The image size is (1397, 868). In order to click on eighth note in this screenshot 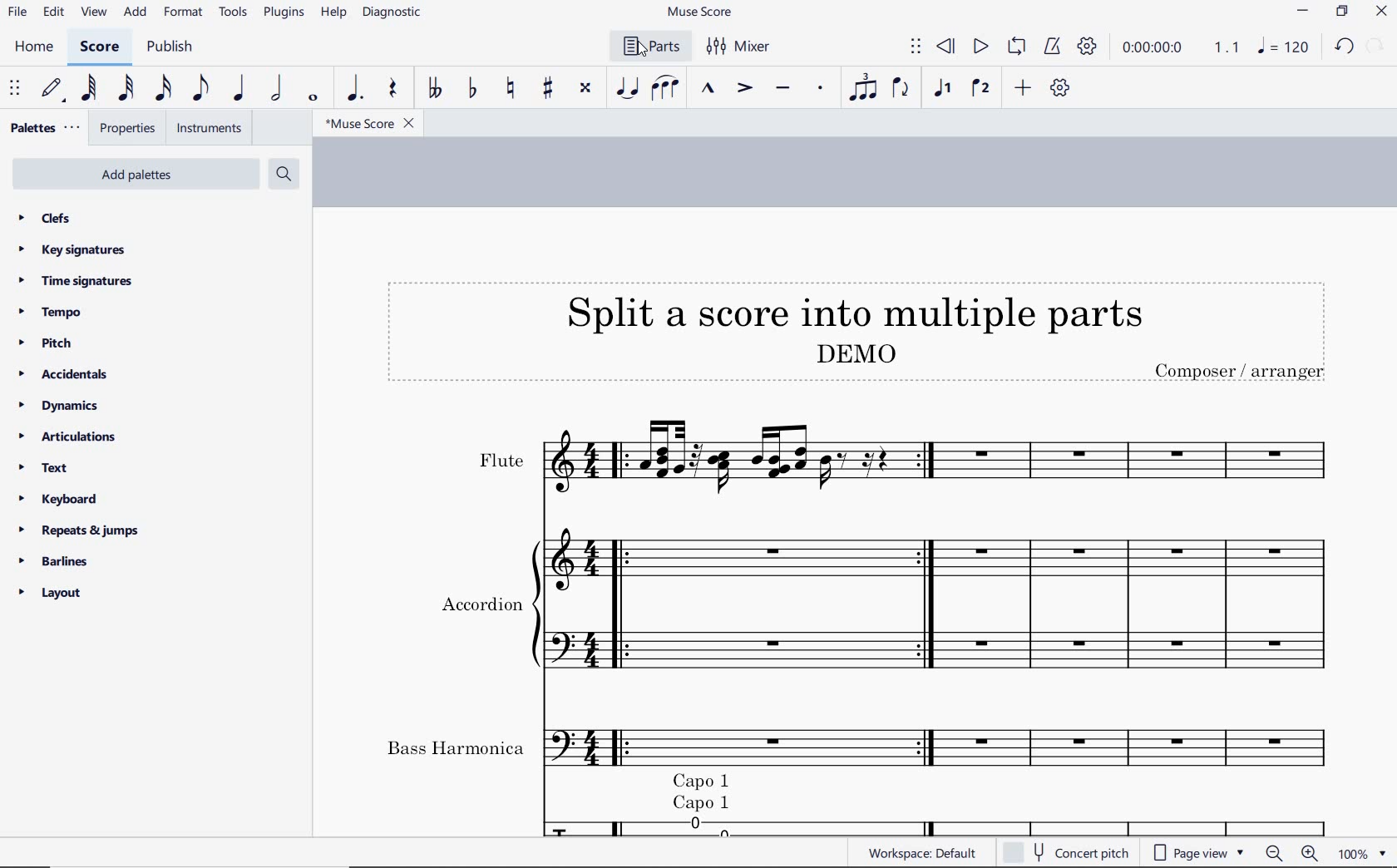, I will do `click(201, 89)`.